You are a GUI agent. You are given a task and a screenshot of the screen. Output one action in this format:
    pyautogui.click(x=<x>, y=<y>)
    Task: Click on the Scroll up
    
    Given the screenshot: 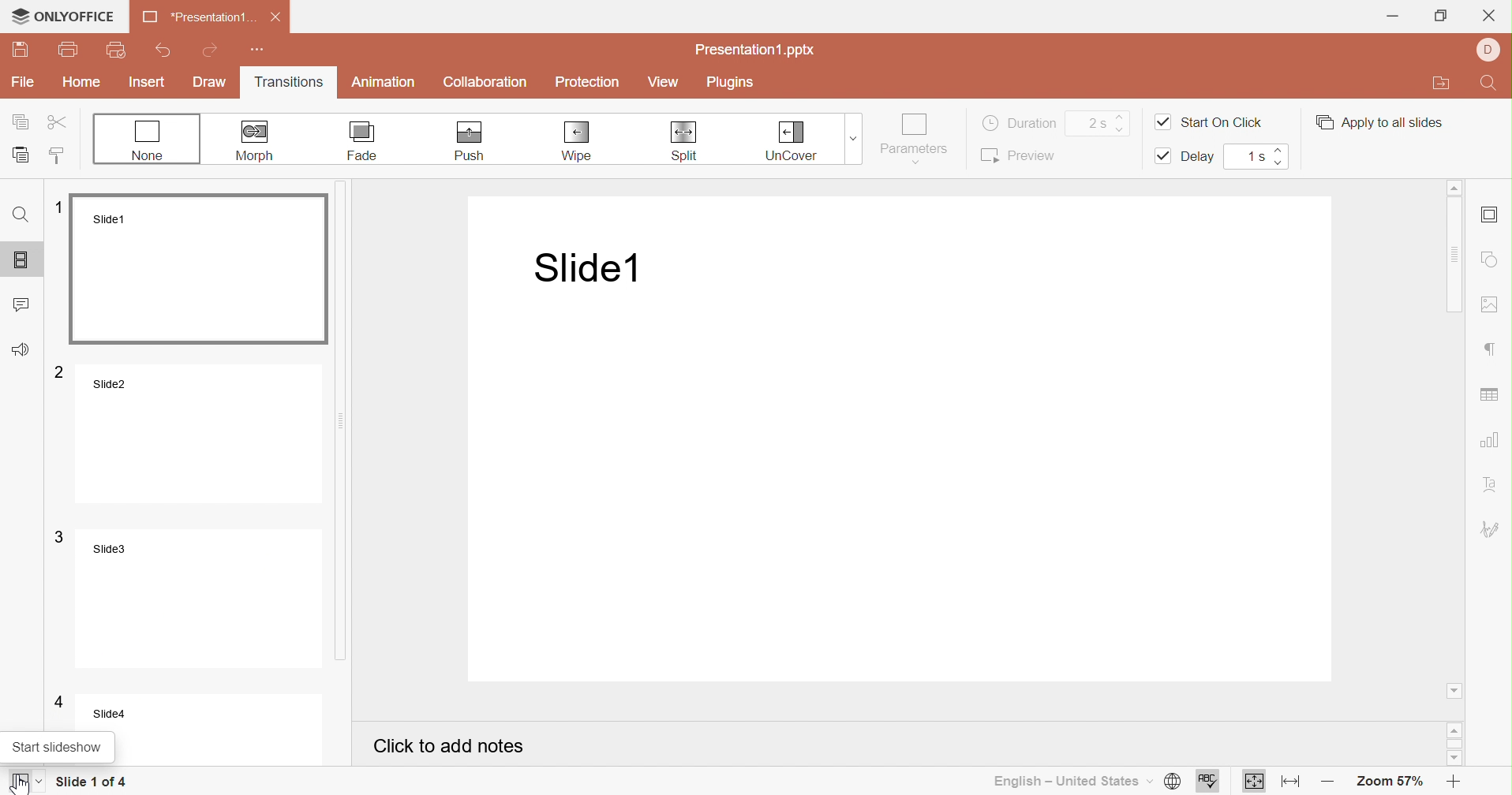 What is the action you would take?
    pyautogui.click(x=1454, y=186)
    